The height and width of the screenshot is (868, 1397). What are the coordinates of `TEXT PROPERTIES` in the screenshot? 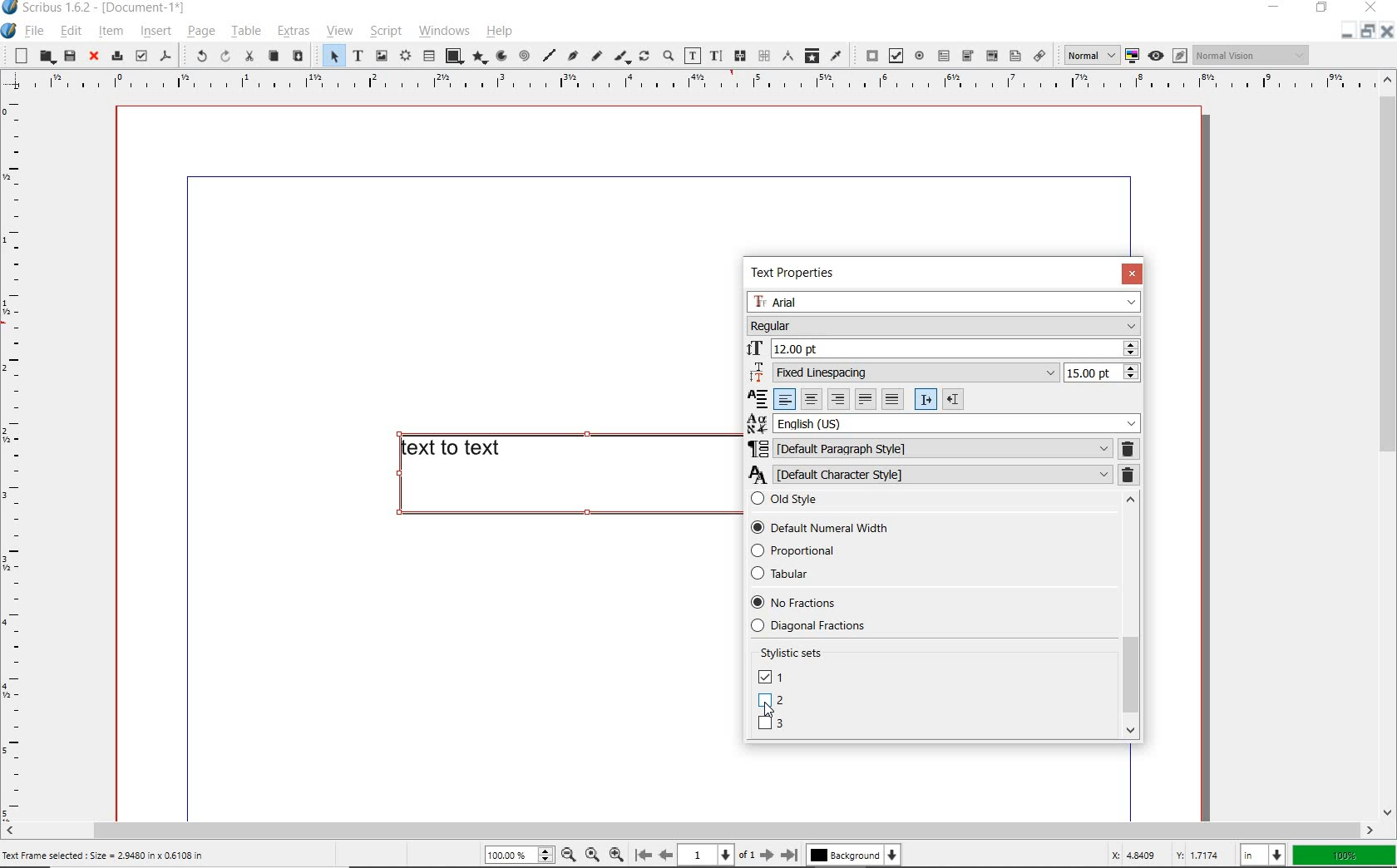 It's located at (799, 273).